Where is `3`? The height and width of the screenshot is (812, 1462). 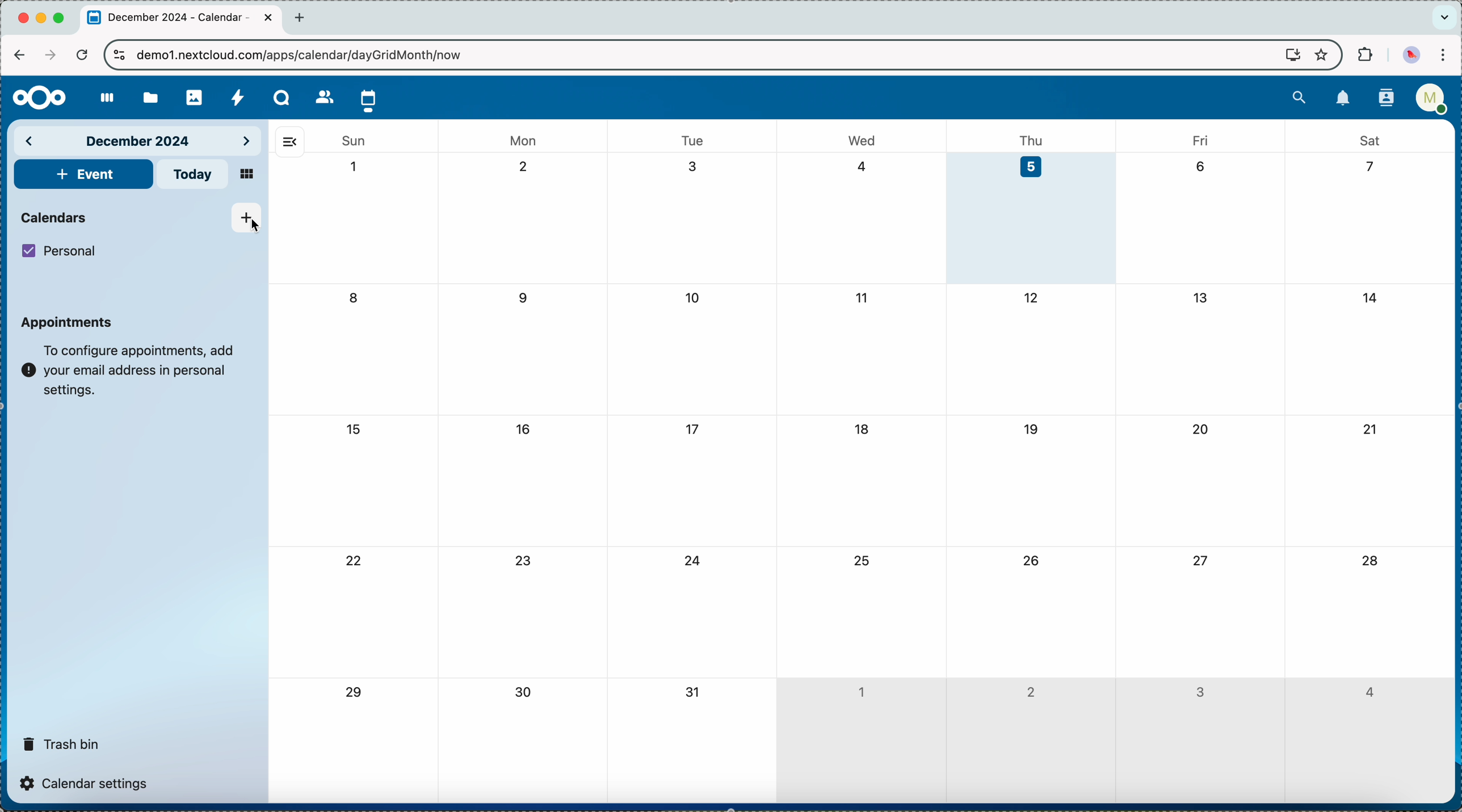 3 is located at coordinates (1200, 693).